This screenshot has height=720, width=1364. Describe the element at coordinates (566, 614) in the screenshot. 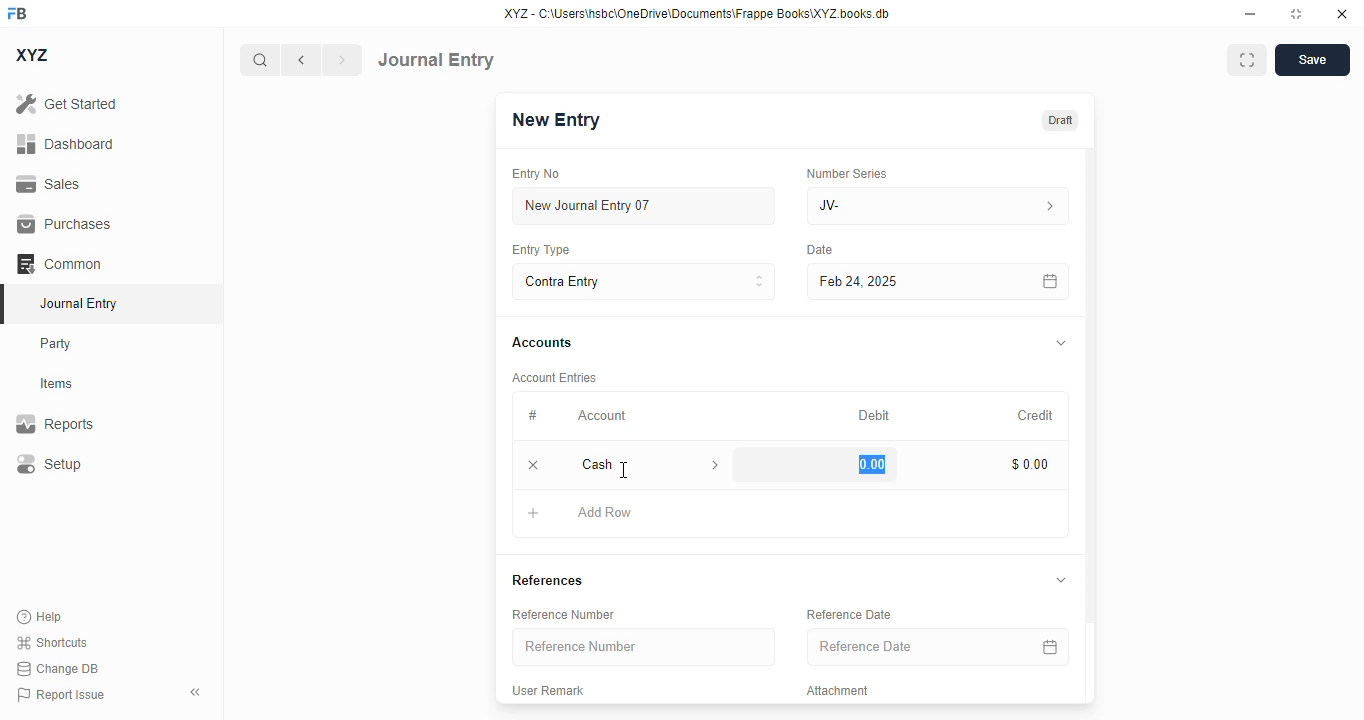

I see `reference number` at that location.